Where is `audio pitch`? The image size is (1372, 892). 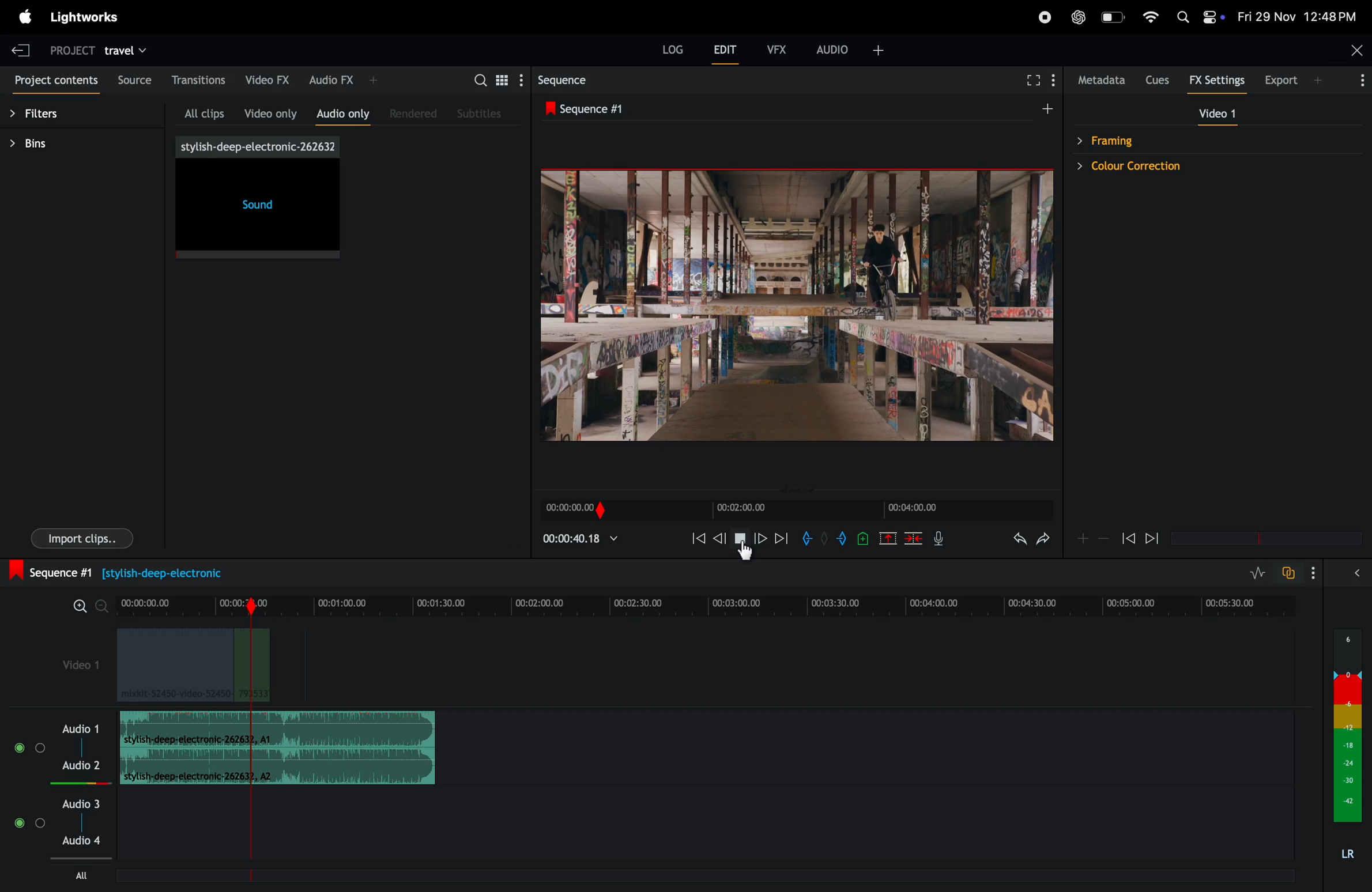 audio pitch is located at coordinates (1347, 749).